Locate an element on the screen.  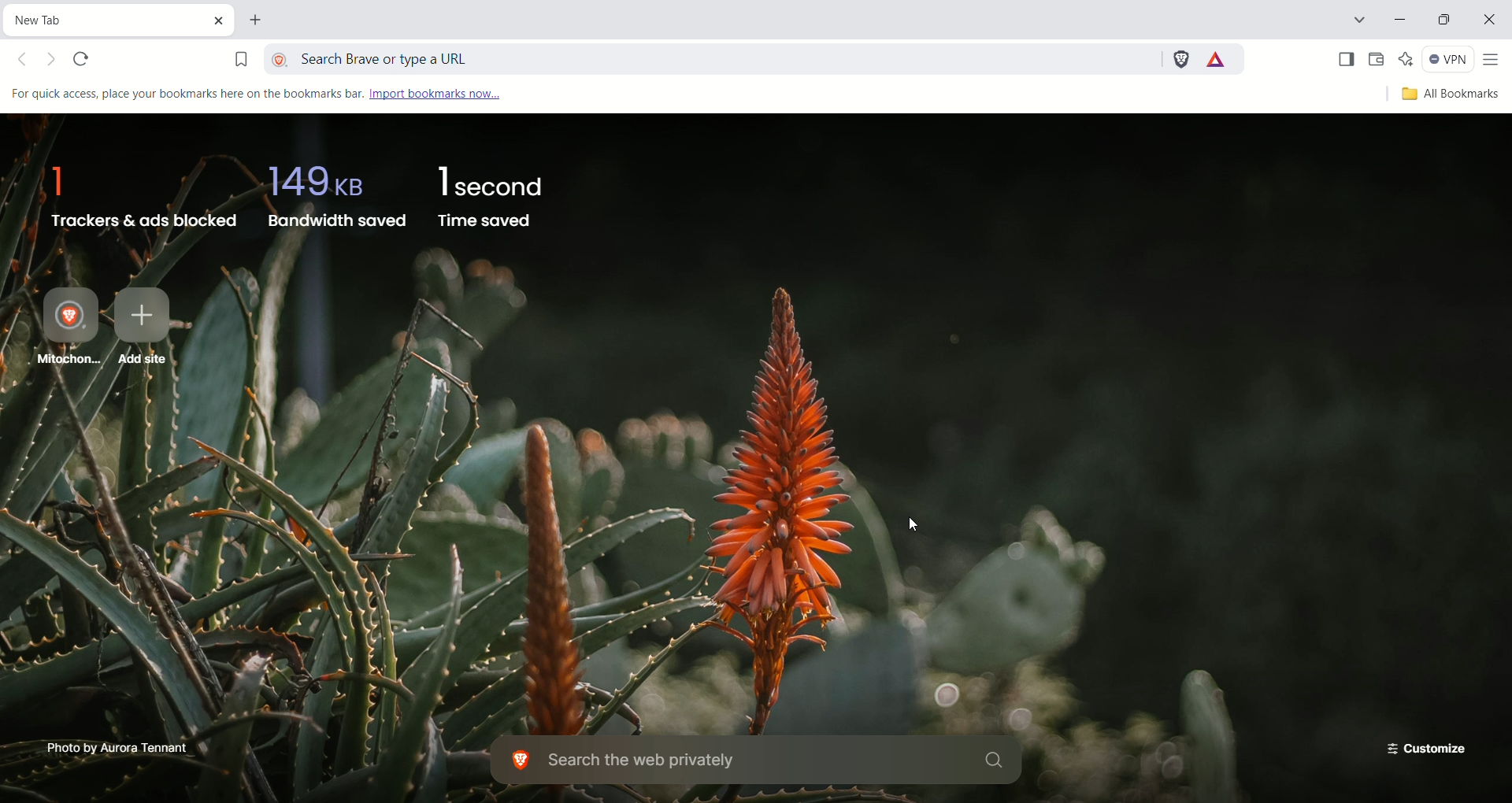
Photo by Aurora Tennant is located at coordinates (119, 746).